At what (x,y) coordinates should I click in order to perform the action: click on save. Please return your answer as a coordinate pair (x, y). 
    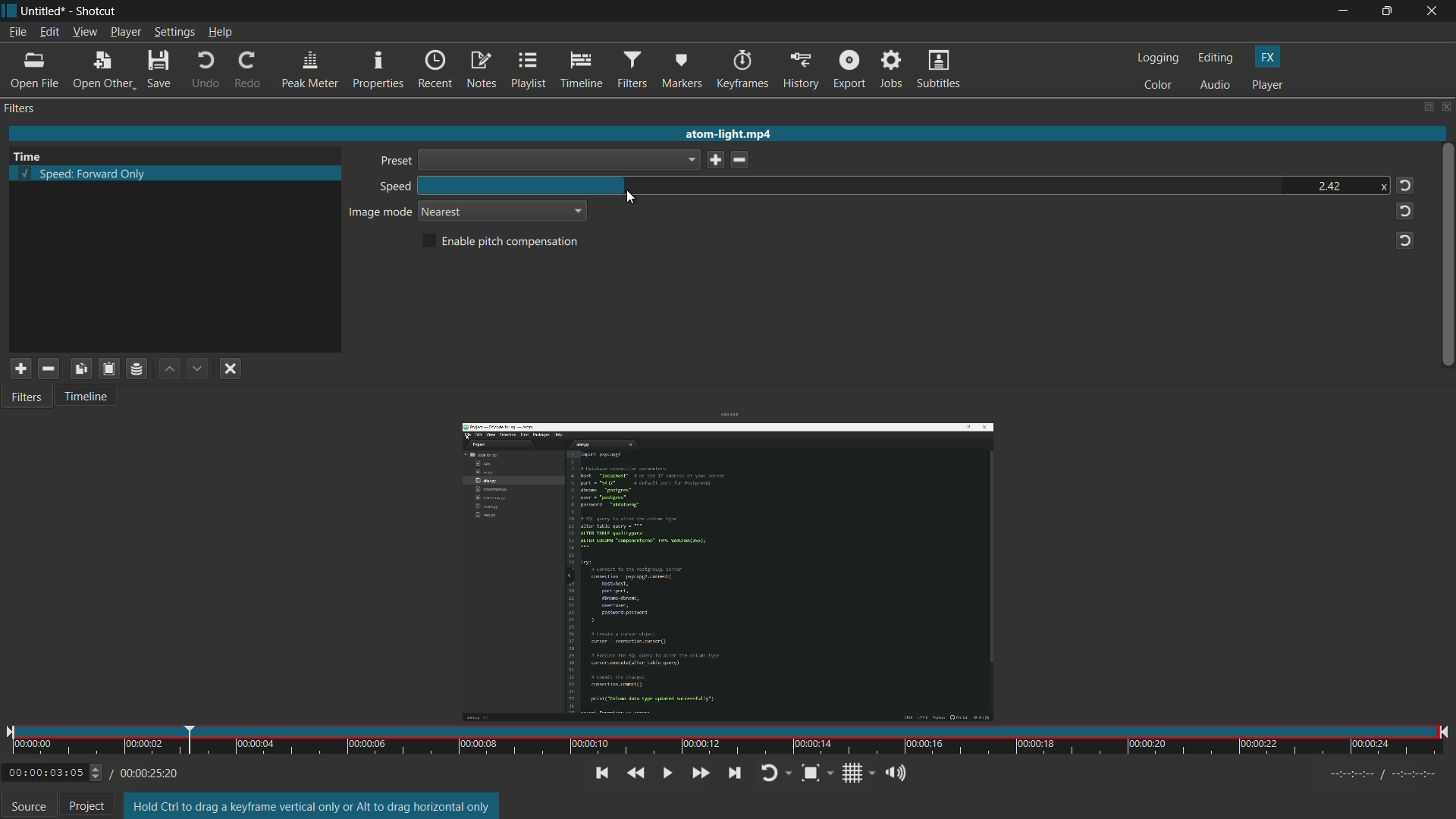
    Looking at the image, I should click on (161, 71).